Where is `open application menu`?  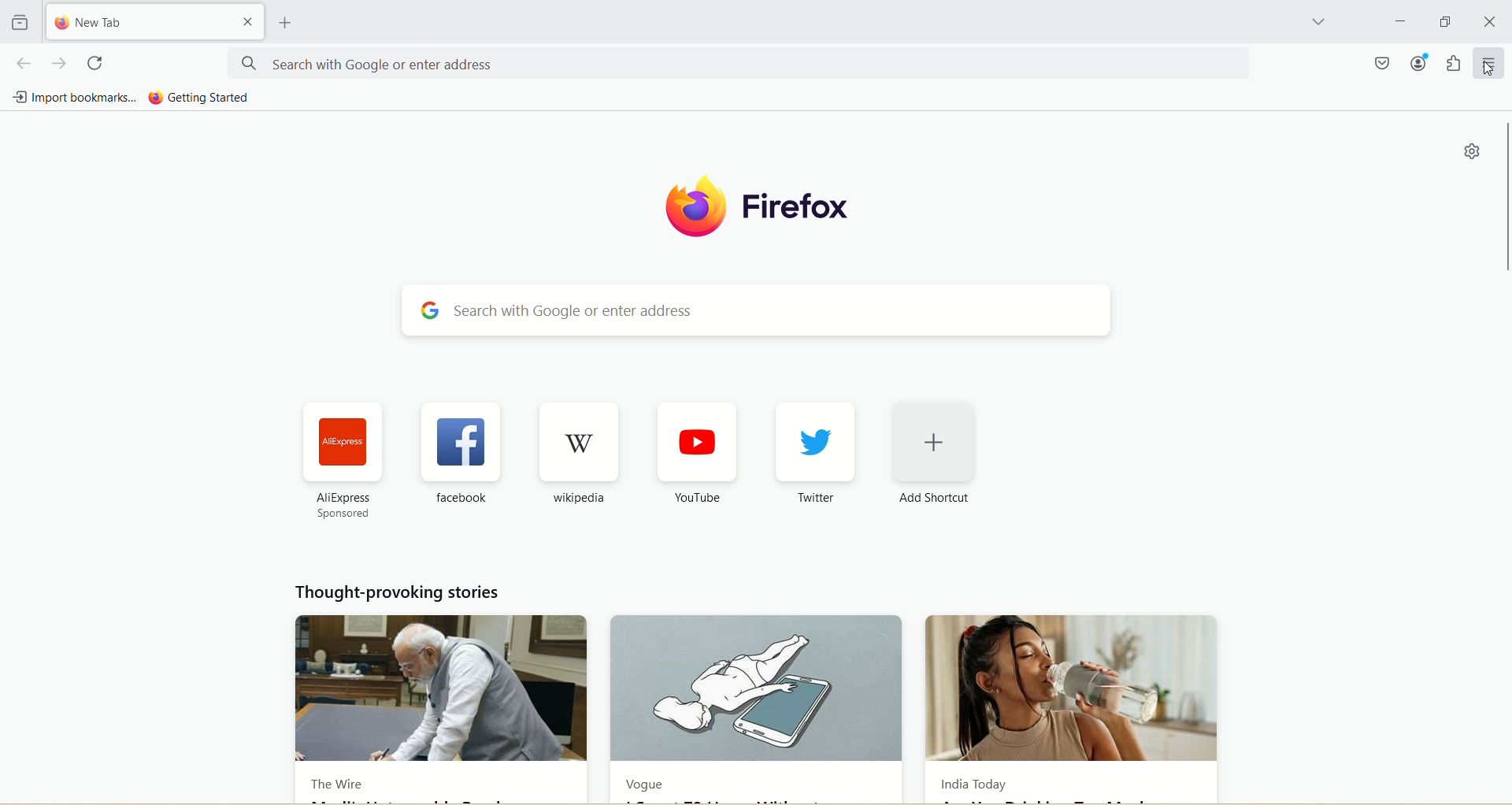 open application menu is located at coordinates (1488, 62).